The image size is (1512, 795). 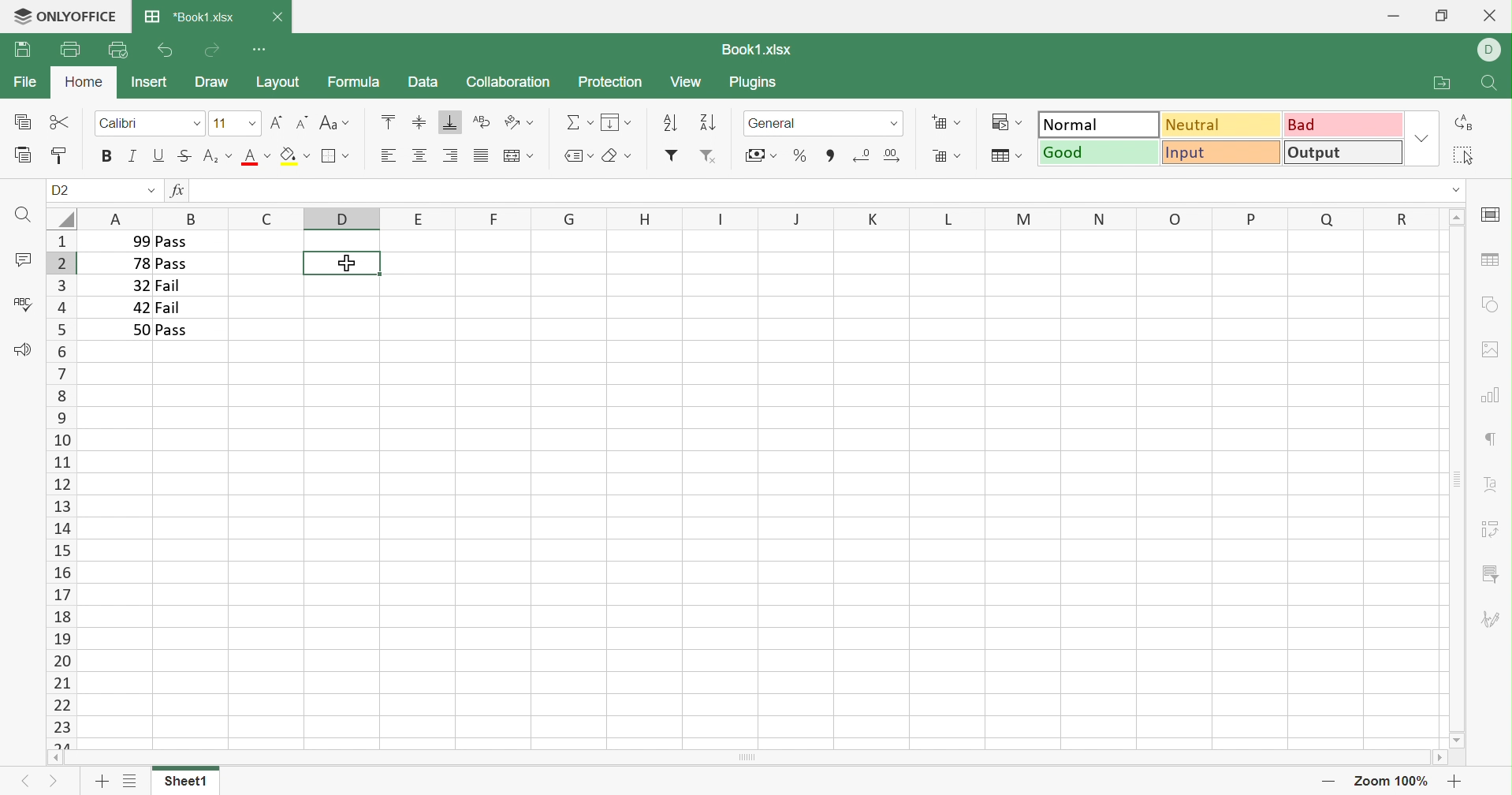 What do you see at coordinates (1465, 123) in the screenshot?
I see `Replace` at bounding box center [1465, 123].